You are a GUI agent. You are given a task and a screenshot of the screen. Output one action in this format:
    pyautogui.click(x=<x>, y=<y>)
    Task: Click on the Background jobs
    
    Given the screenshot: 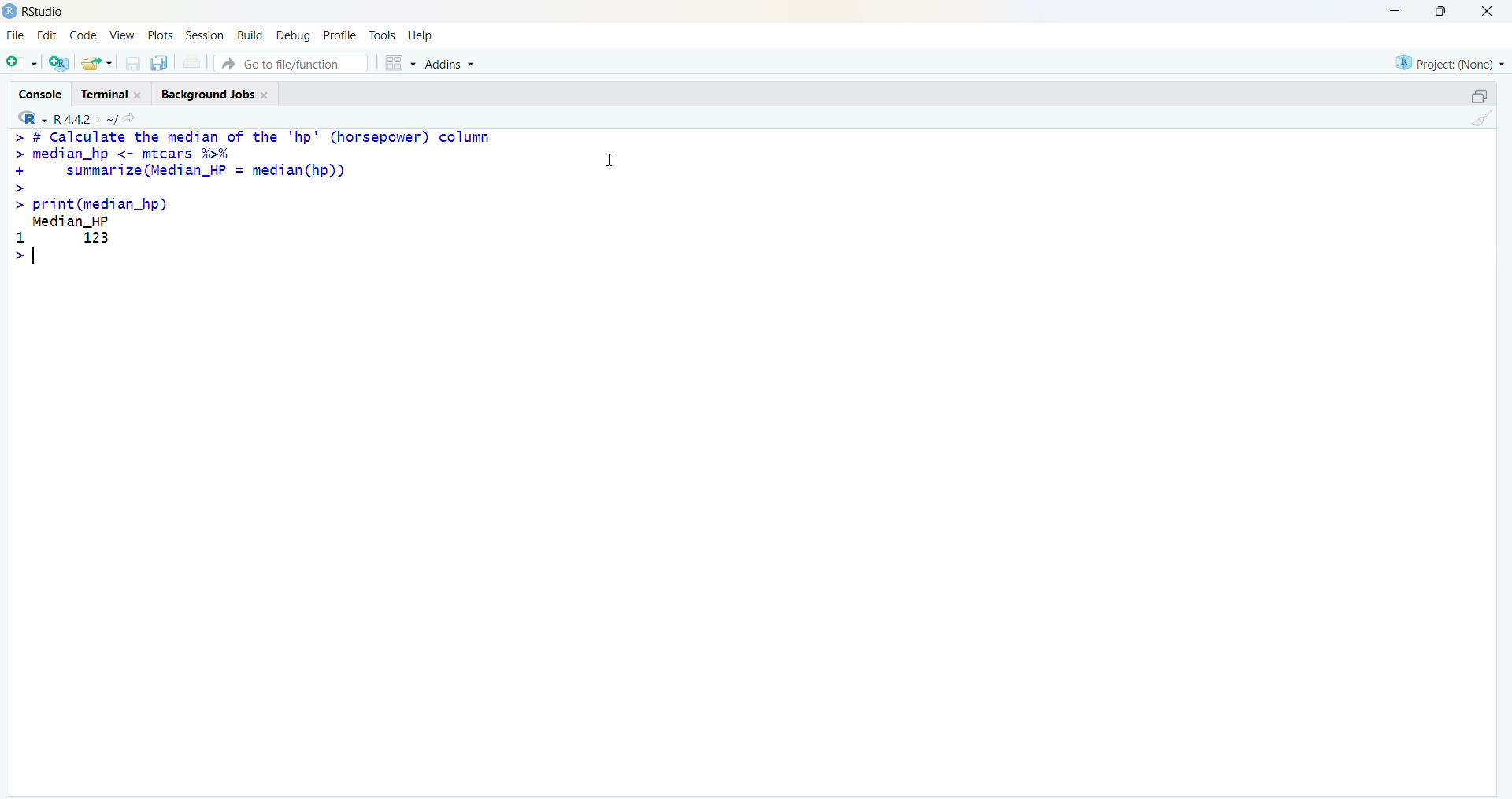 What is the action you would take?
    pyautogui.click(x=206, y=95)
    